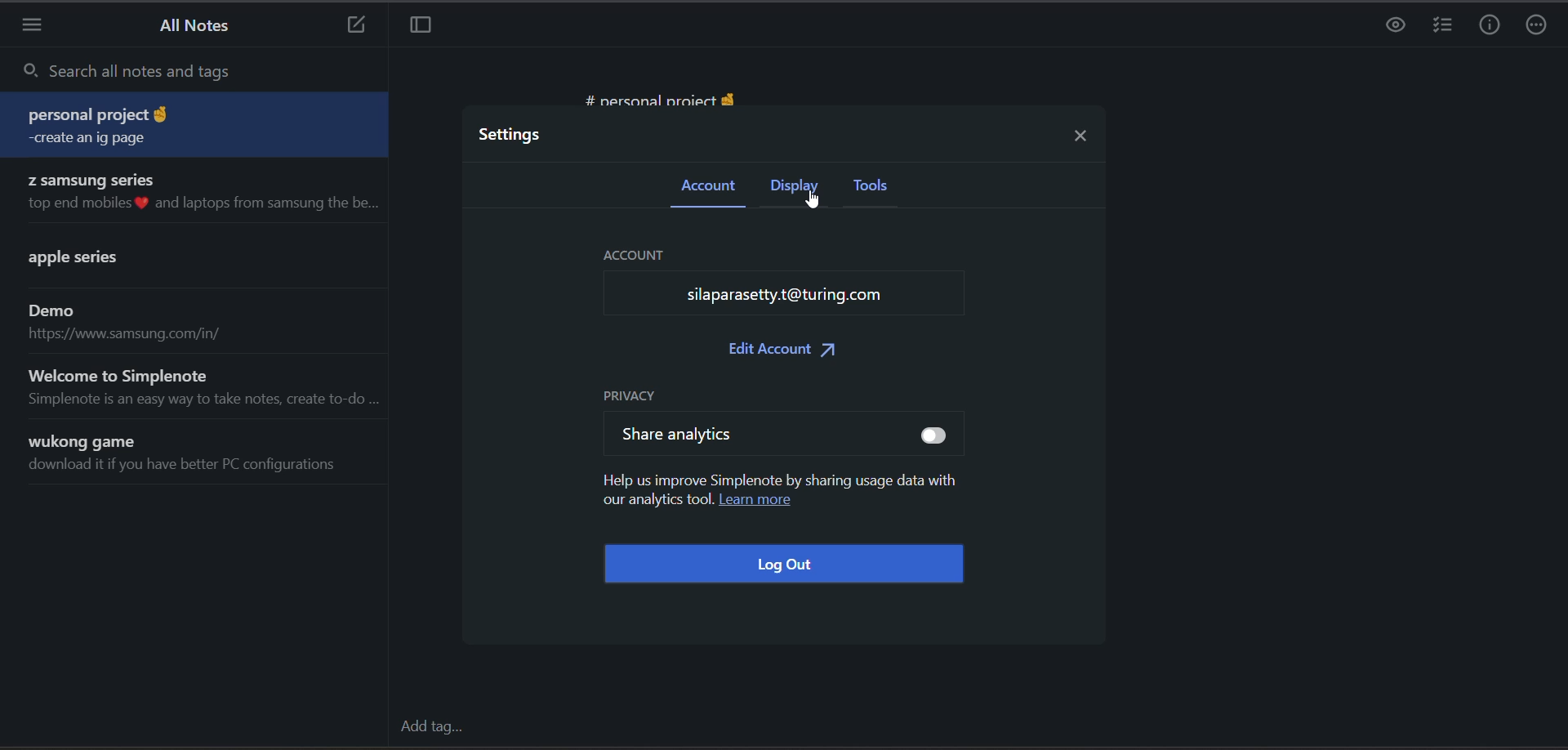  I want to click on cursor, so click(817, 202).